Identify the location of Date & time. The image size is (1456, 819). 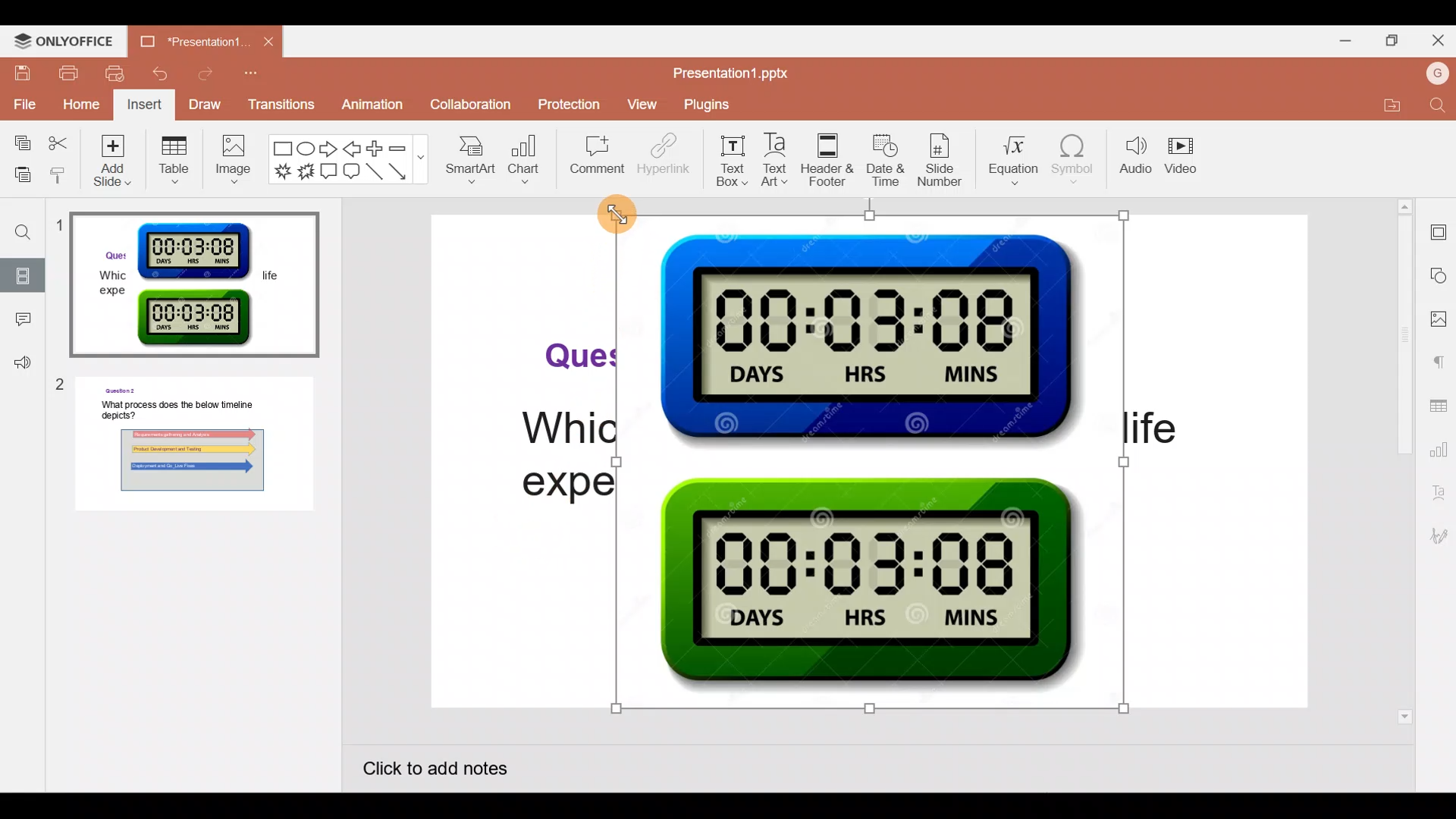
(887, 163).